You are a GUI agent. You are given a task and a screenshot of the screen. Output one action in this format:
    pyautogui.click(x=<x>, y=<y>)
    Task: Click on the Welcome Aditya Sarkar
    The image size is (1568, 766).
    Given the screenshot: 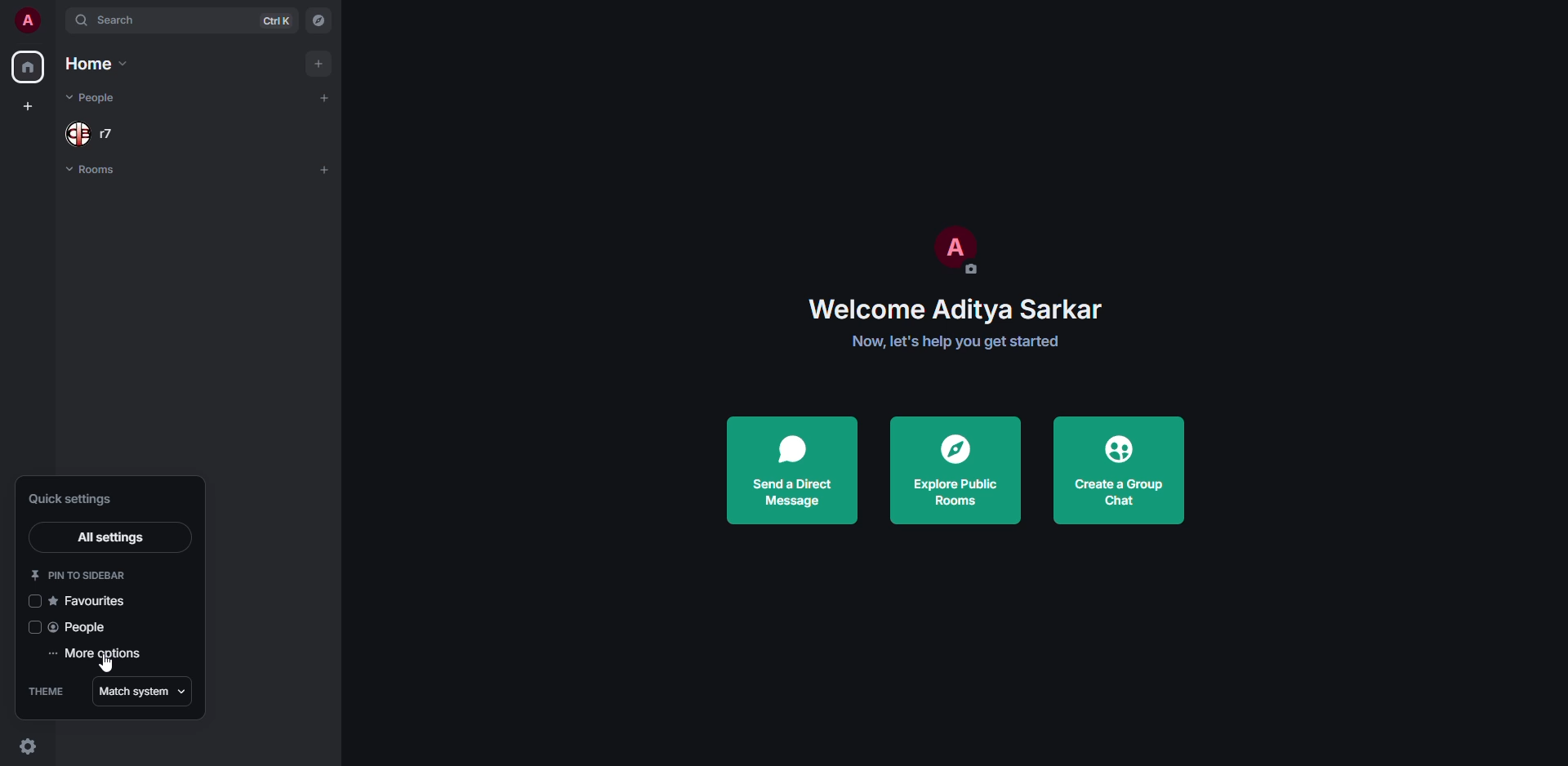 What is the action you would take?
    pyautogui.click(x=947, y=310)
    